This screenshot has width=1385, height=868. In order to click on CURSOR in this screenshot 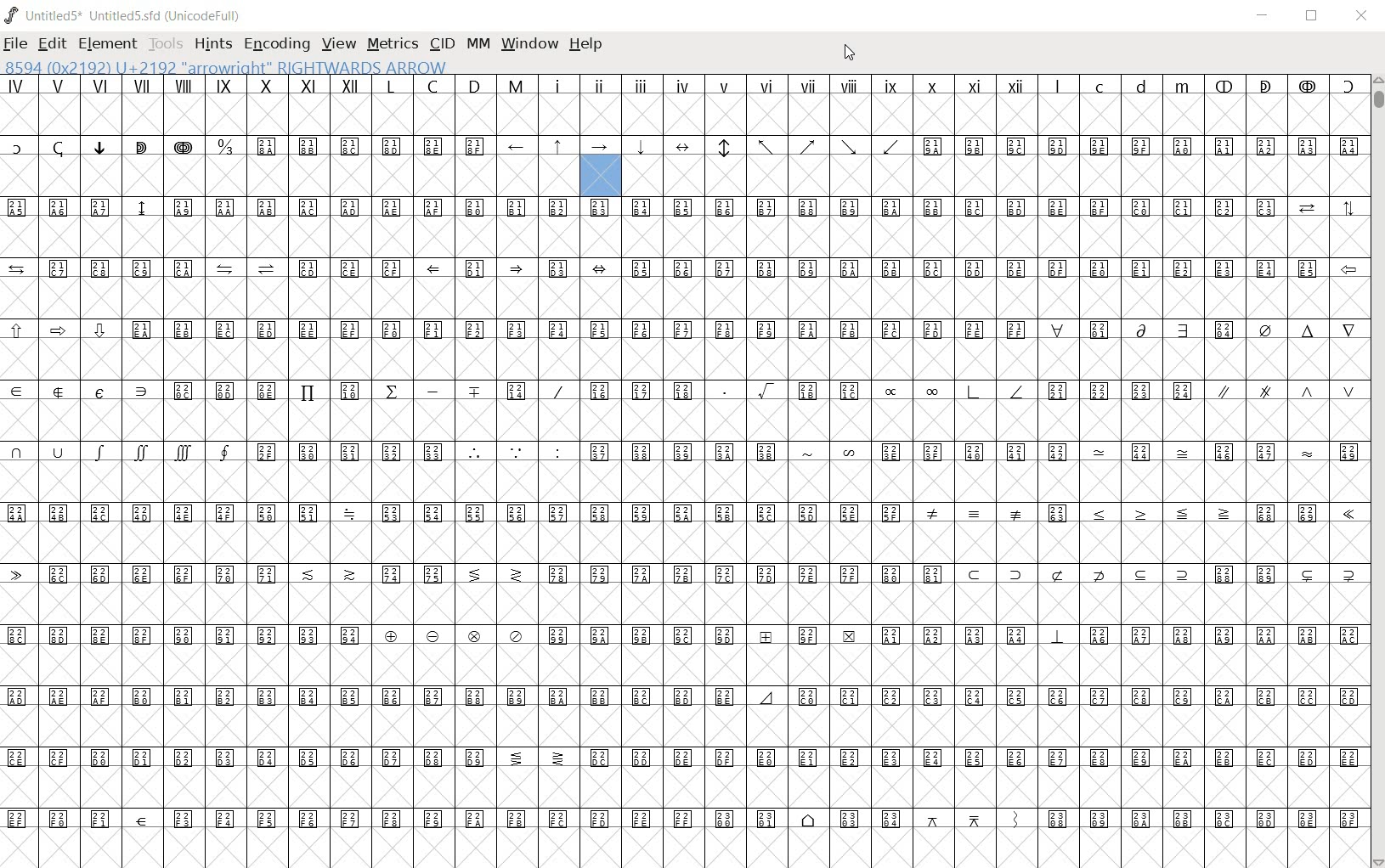, I will do `click(850, 54)`.